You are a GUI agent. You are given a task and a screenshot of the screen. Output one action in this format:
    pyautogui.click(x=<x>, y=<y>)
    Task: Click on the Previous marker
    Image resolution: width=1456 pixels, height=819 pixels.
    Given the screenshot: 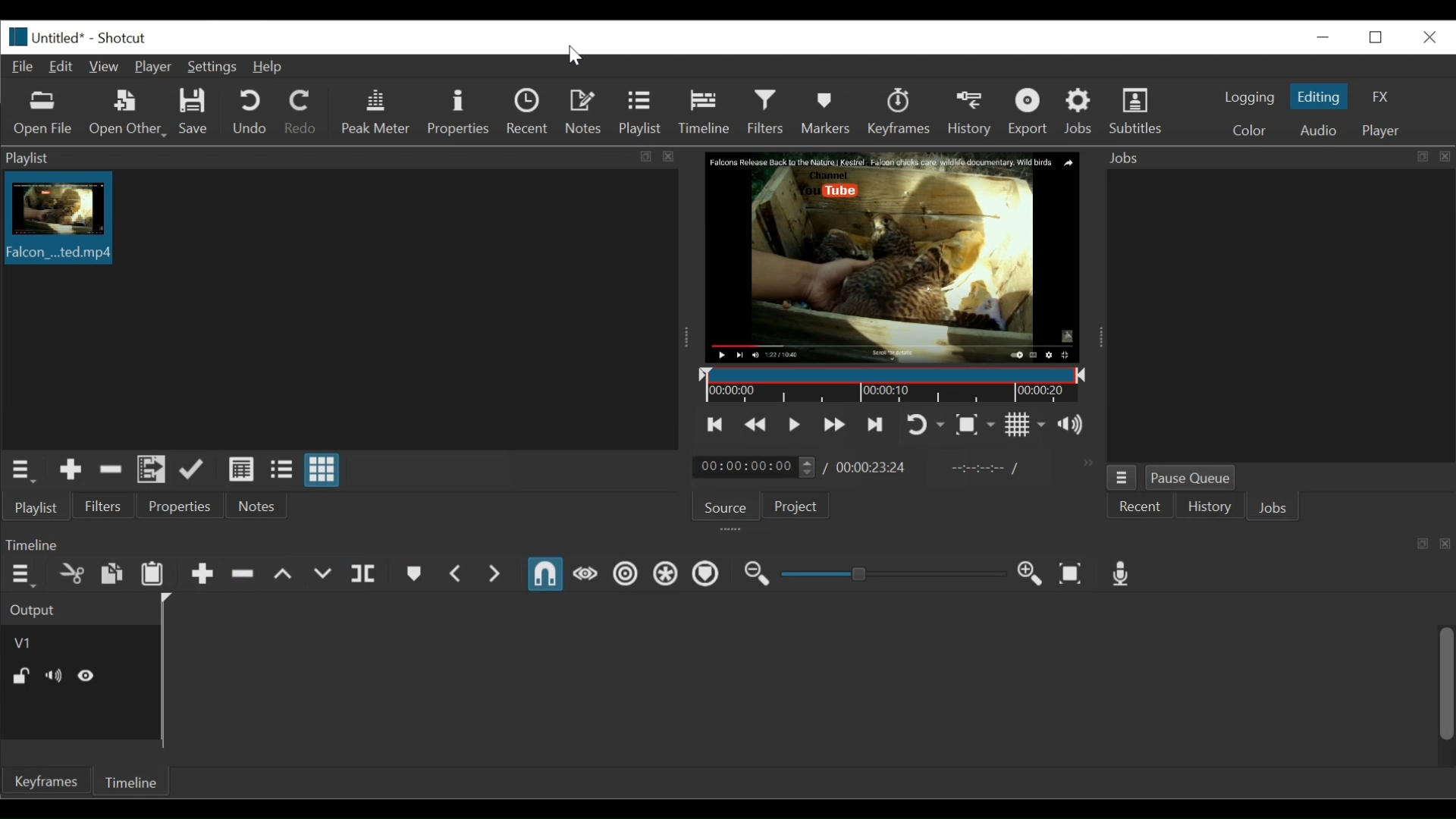 What is the action you would take?
    pyautogui.click(x=457, y=576)
    